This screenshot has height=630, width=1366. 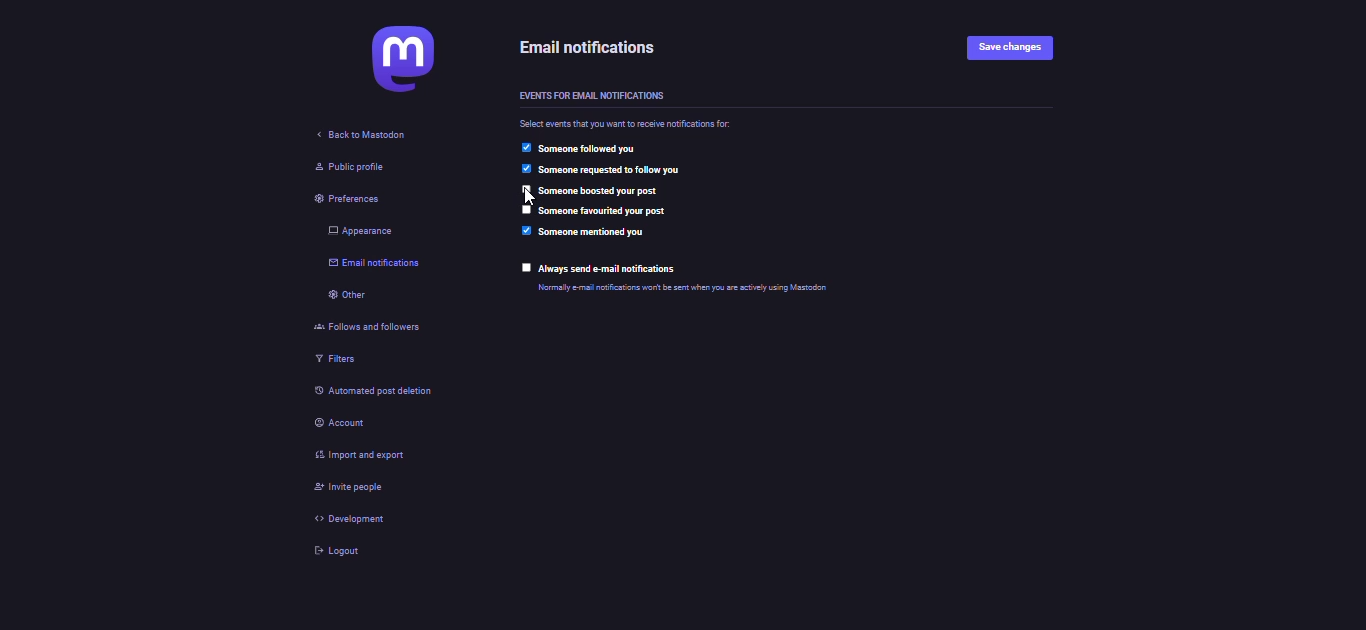 What do you see at coordinates (326, 361) in the screenshot?
I see `filters` at bounding box center [326, 361].